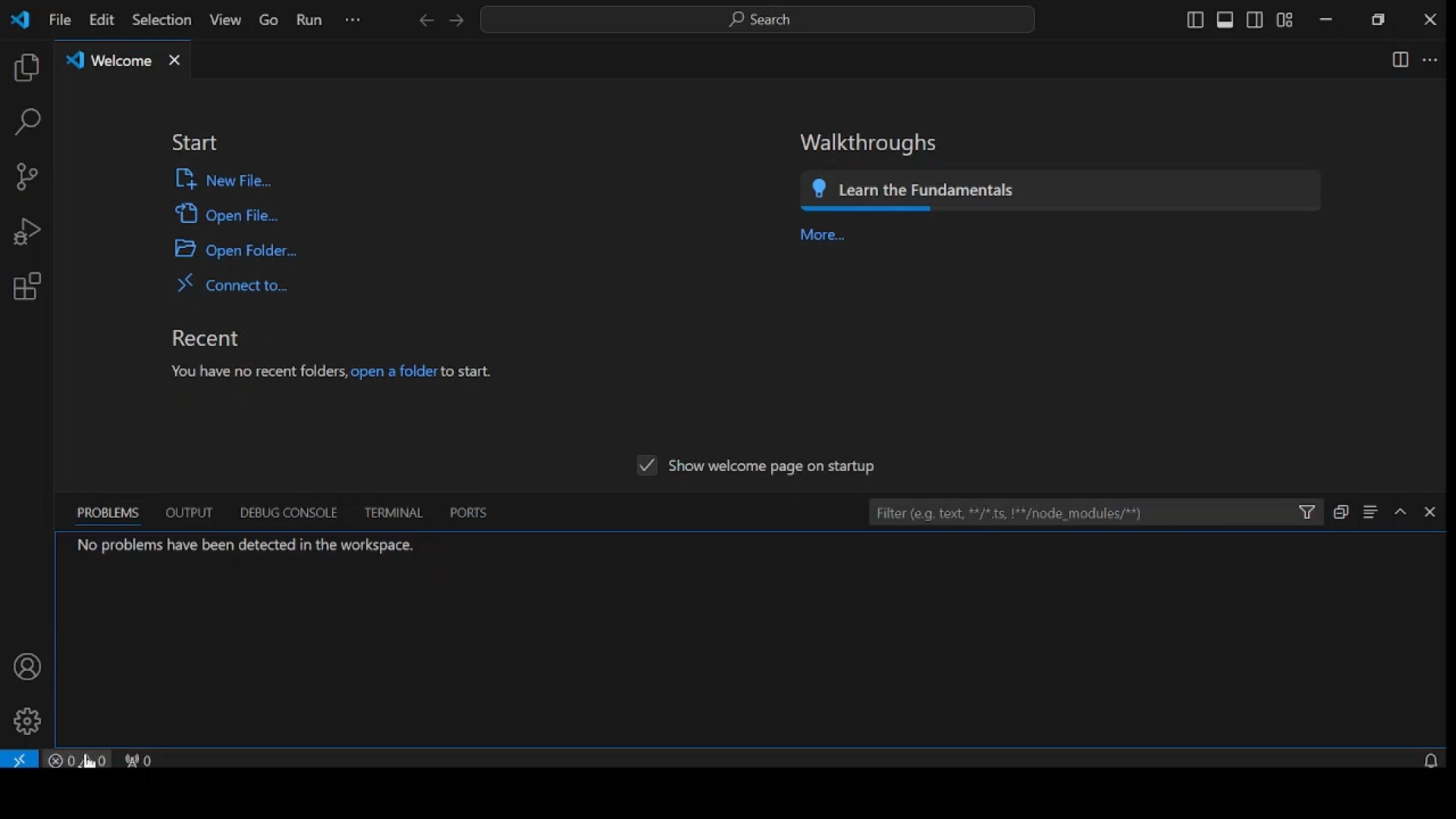  Describe the element at coordinates (1431, 61) in the screenshot. I see `more actions` at that location.